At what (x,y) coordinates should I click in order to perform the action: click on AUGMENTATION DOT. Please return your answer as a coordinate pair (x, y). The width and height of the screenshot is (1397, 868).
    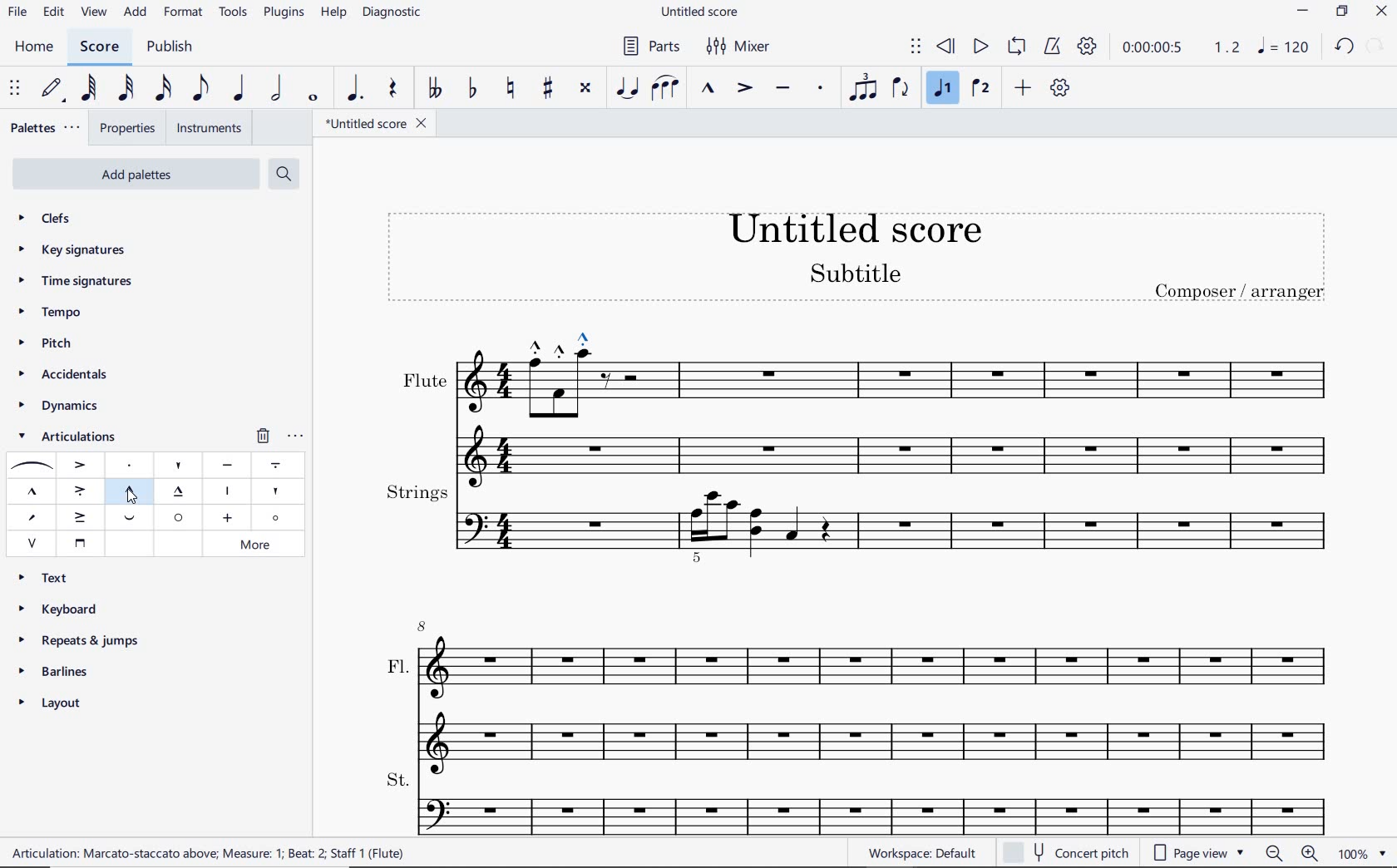
    Looking at the image, I should click on (355, 89).